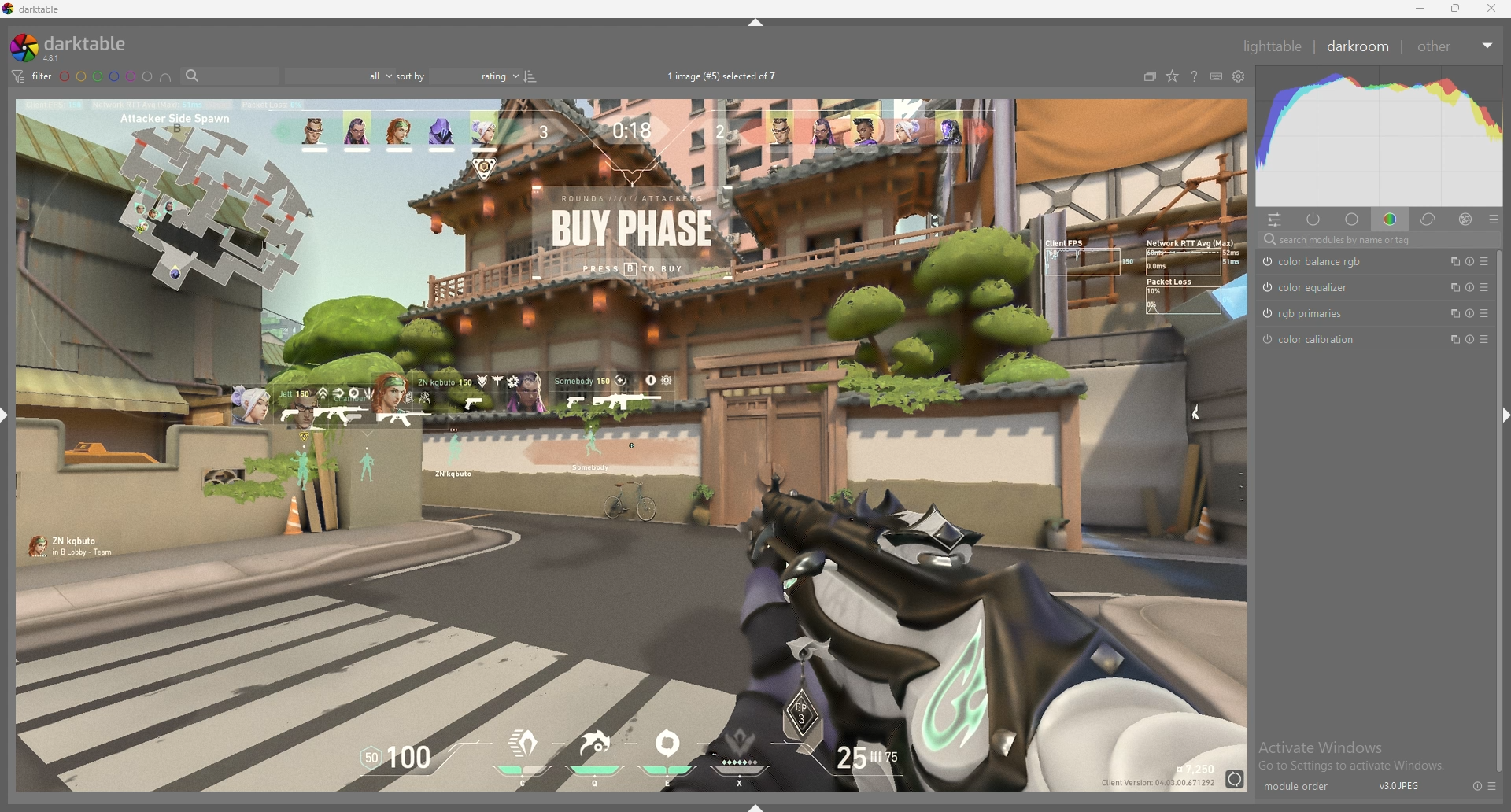 The width and height of the screenshot is (1511, 812). I want to click on reset, so click(1469, 261).